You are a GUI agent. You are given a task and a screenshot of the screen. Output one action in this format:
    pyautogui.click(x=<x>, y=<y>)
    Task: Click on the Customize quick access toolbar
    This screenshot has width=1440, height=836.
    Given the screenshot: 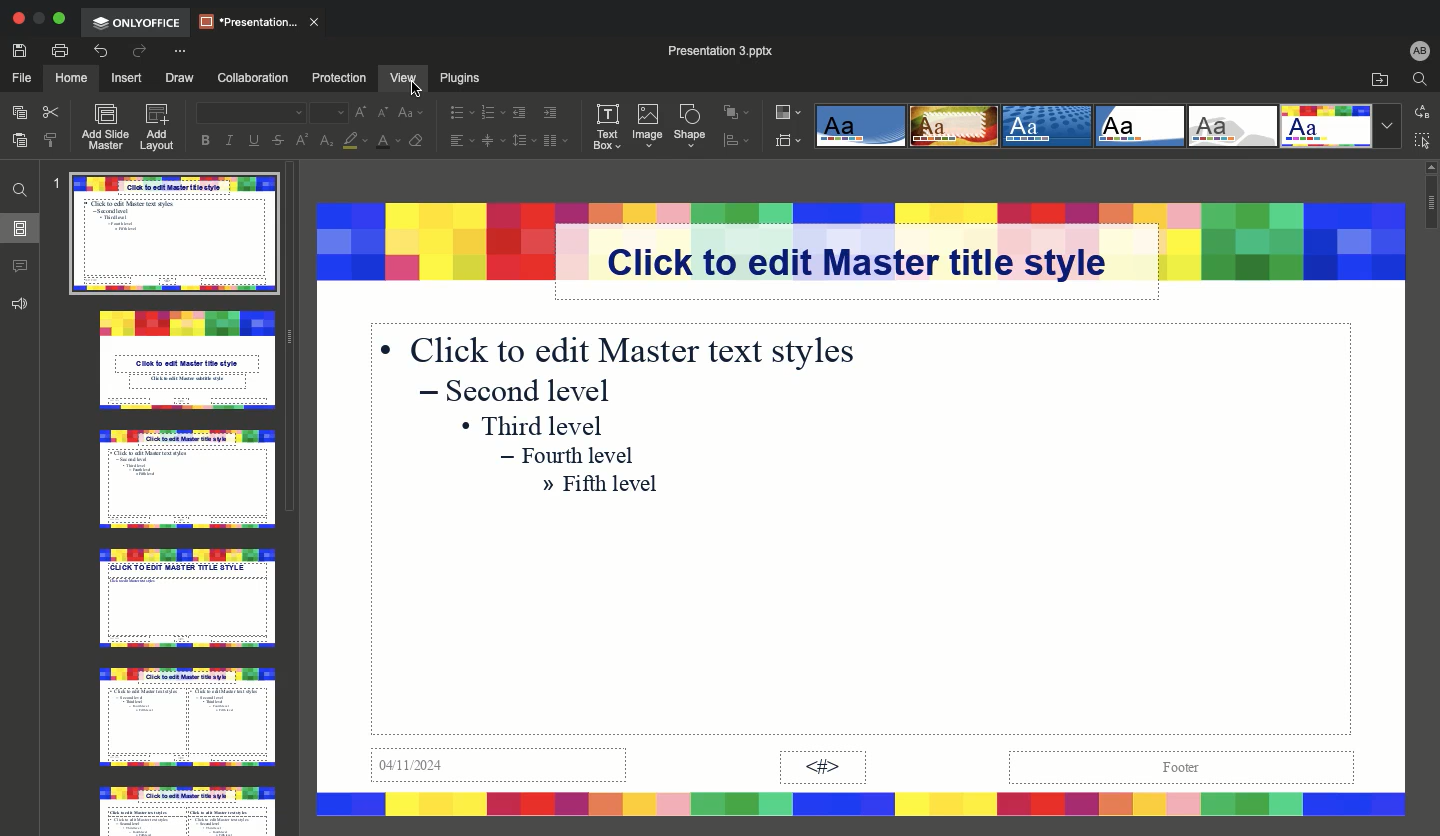 What is the action you would take?
    pyautogui.click(x=179, y=52)
    